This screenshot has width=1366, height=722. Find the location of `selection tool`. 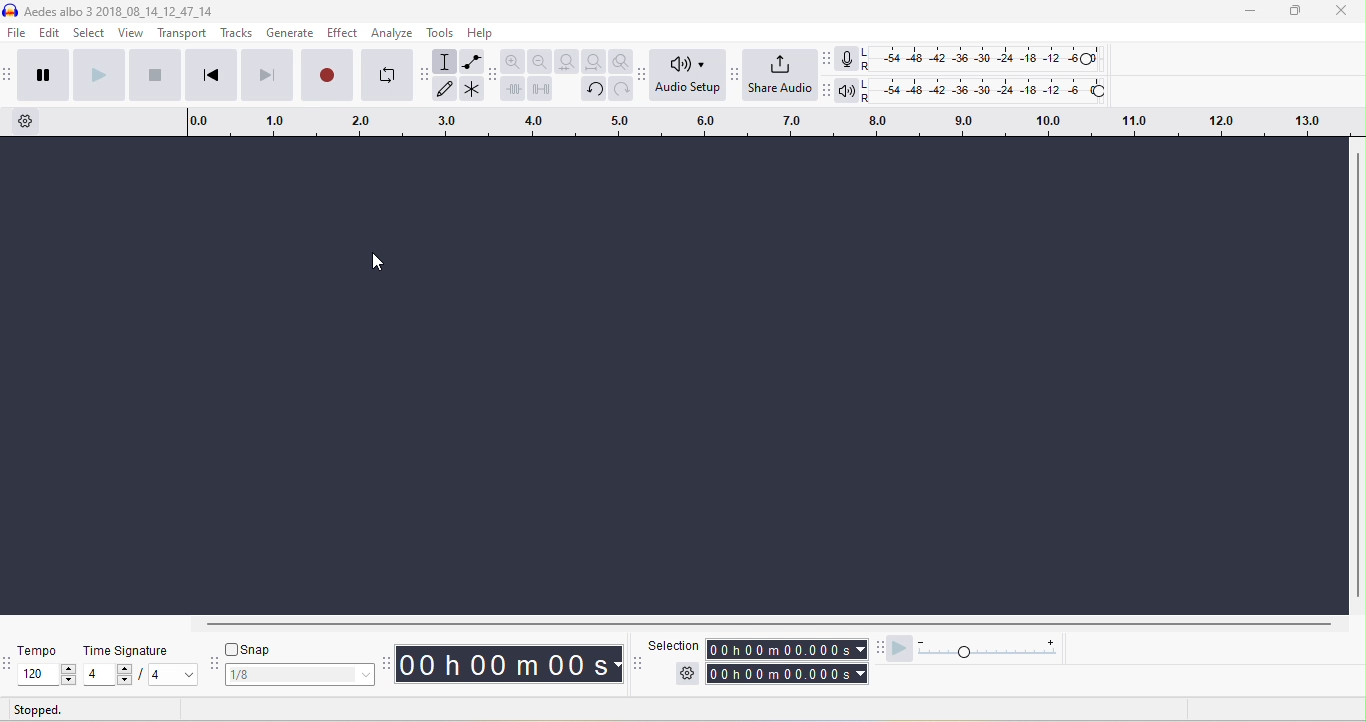

selection tool is located at coordinates (446, 61).